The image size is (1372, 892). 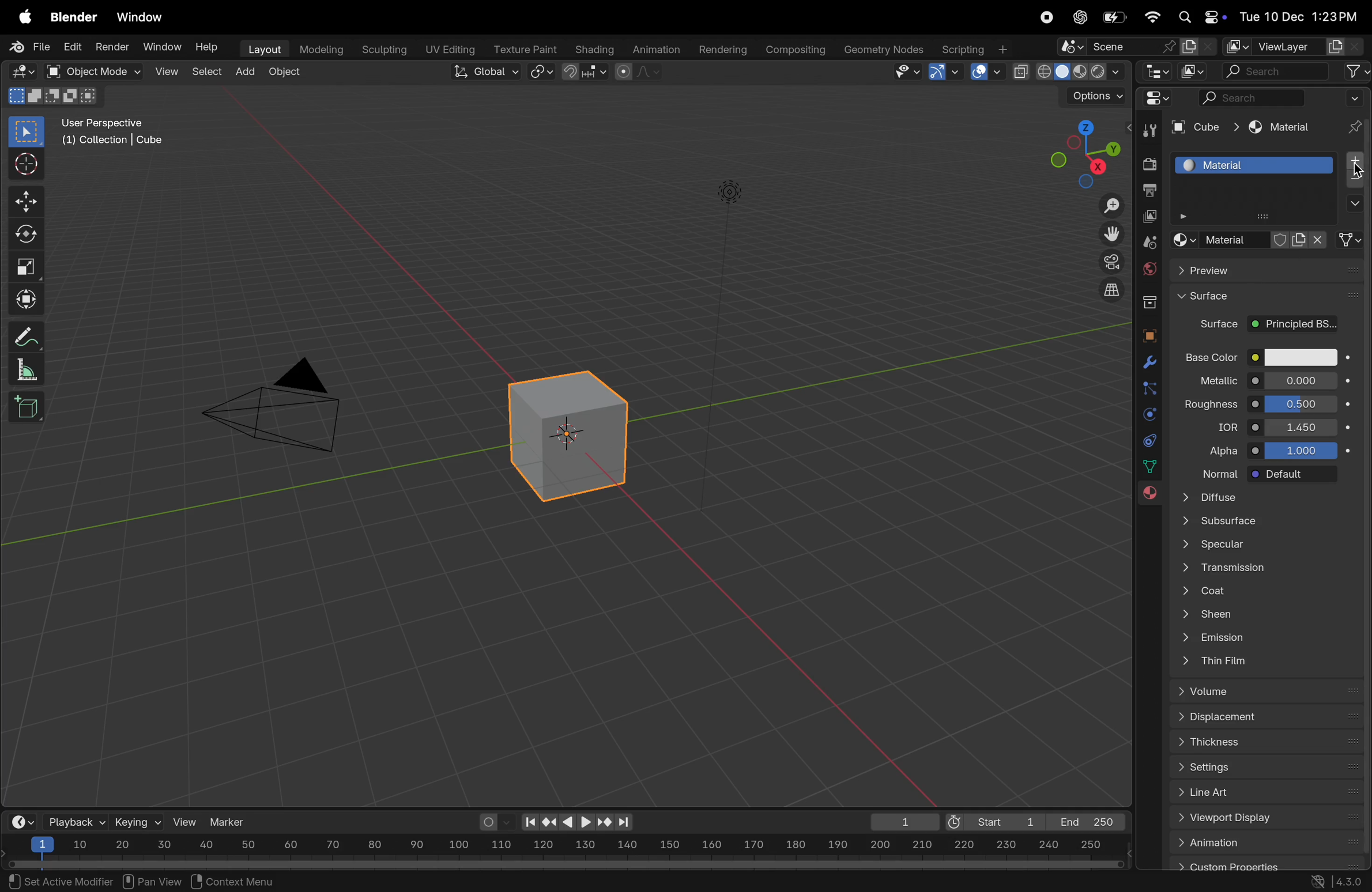 I want to click on material. file, so click(x=1250, y=240).